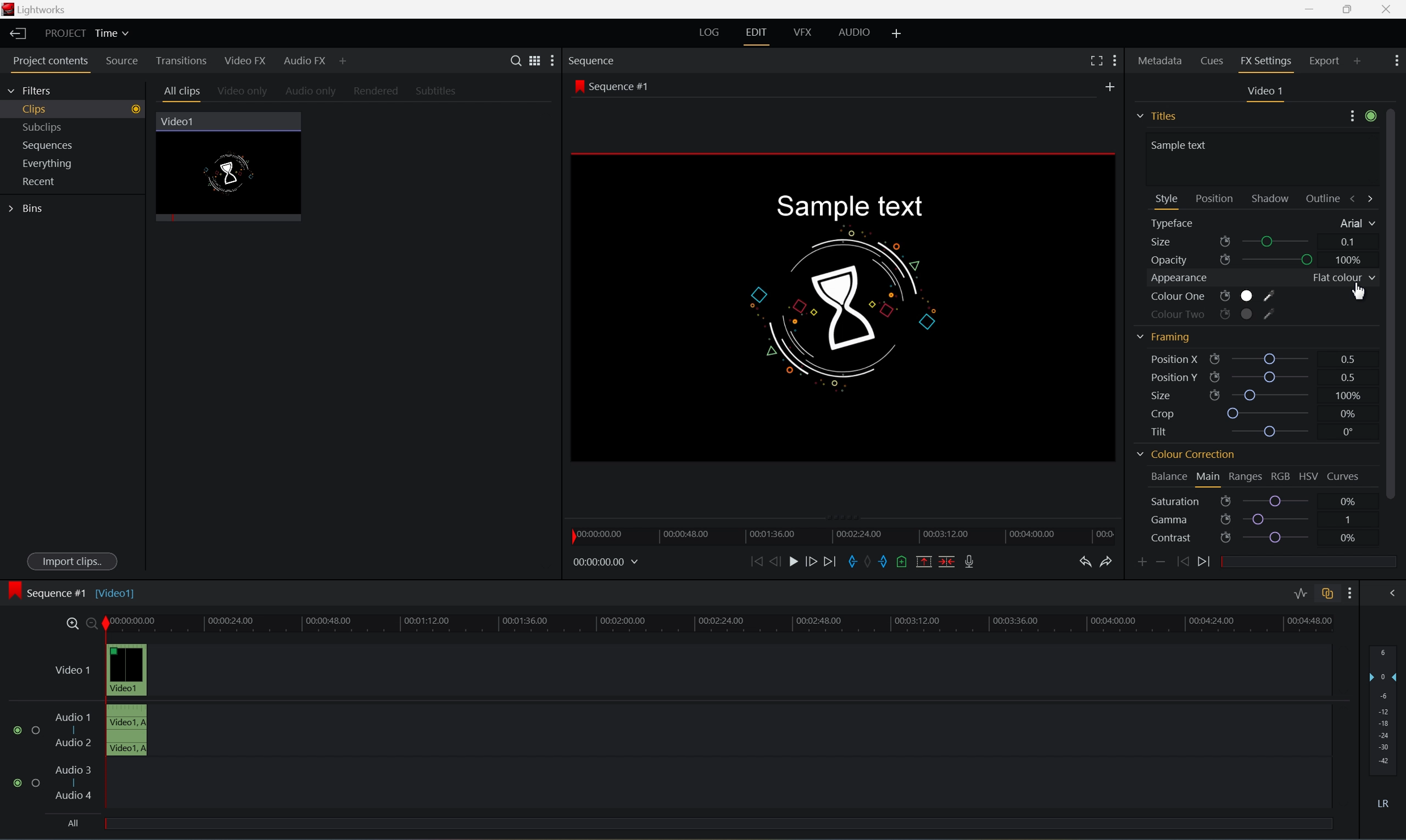 The width and height of the screenshot is (1406, 840). Describe the element at coordinates (20, 730) in the screenshot. I see `checked checkbox` at that location.